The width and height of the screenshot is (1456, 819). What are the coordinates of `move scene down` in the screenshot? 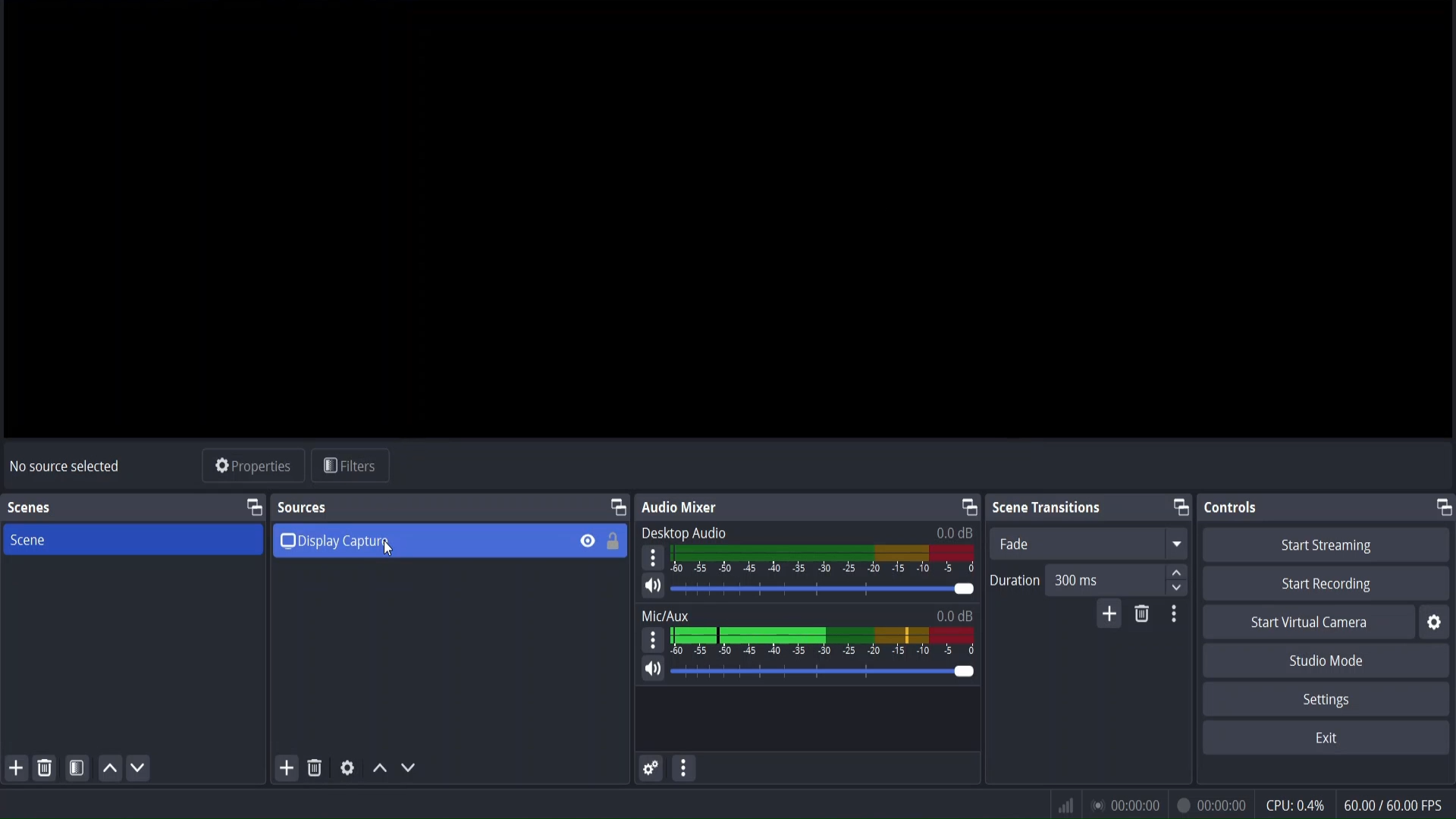 It's located at (139, 770).